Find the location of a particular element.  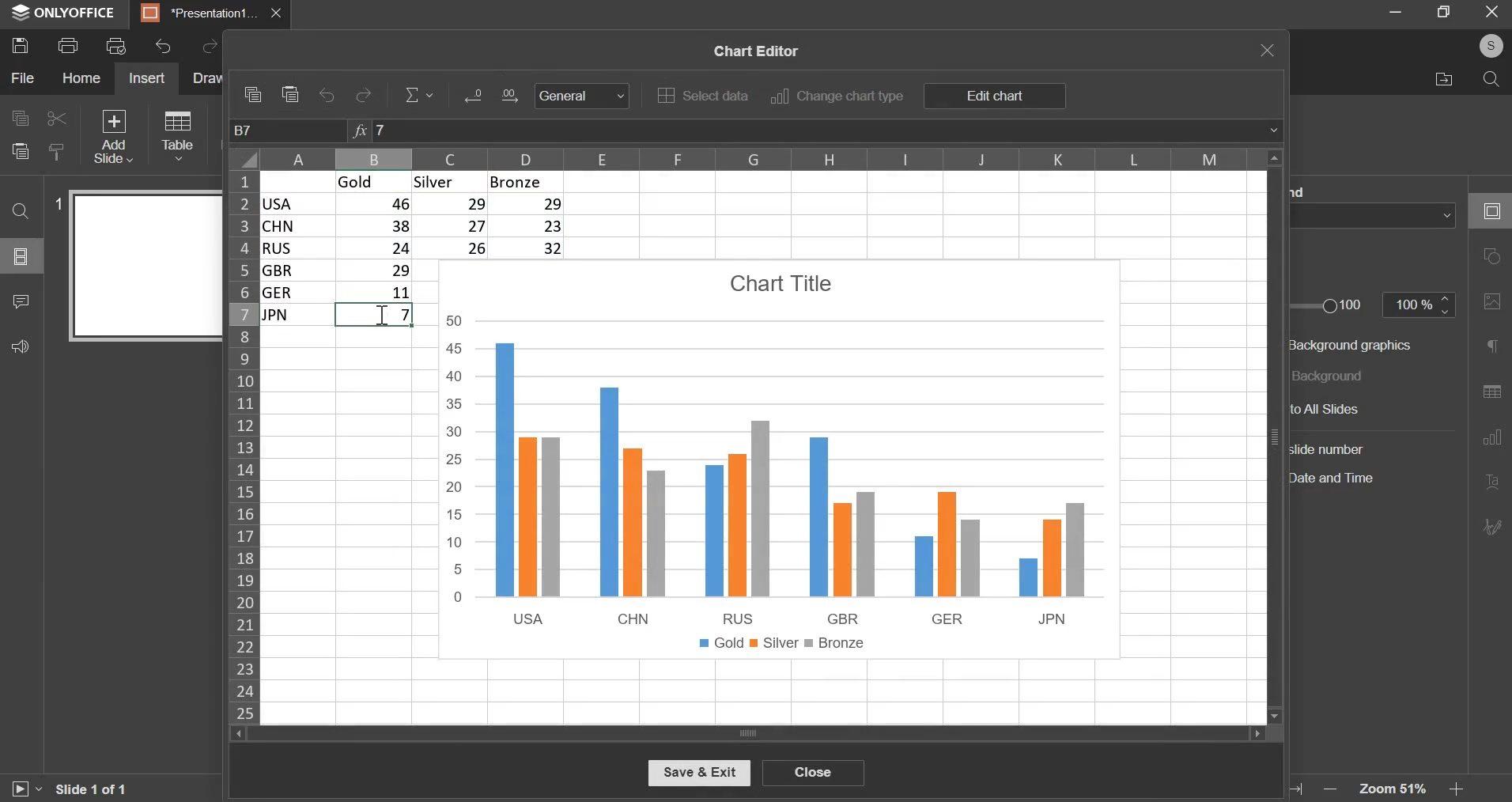

chart settings is located at coordinates (1491, 442).